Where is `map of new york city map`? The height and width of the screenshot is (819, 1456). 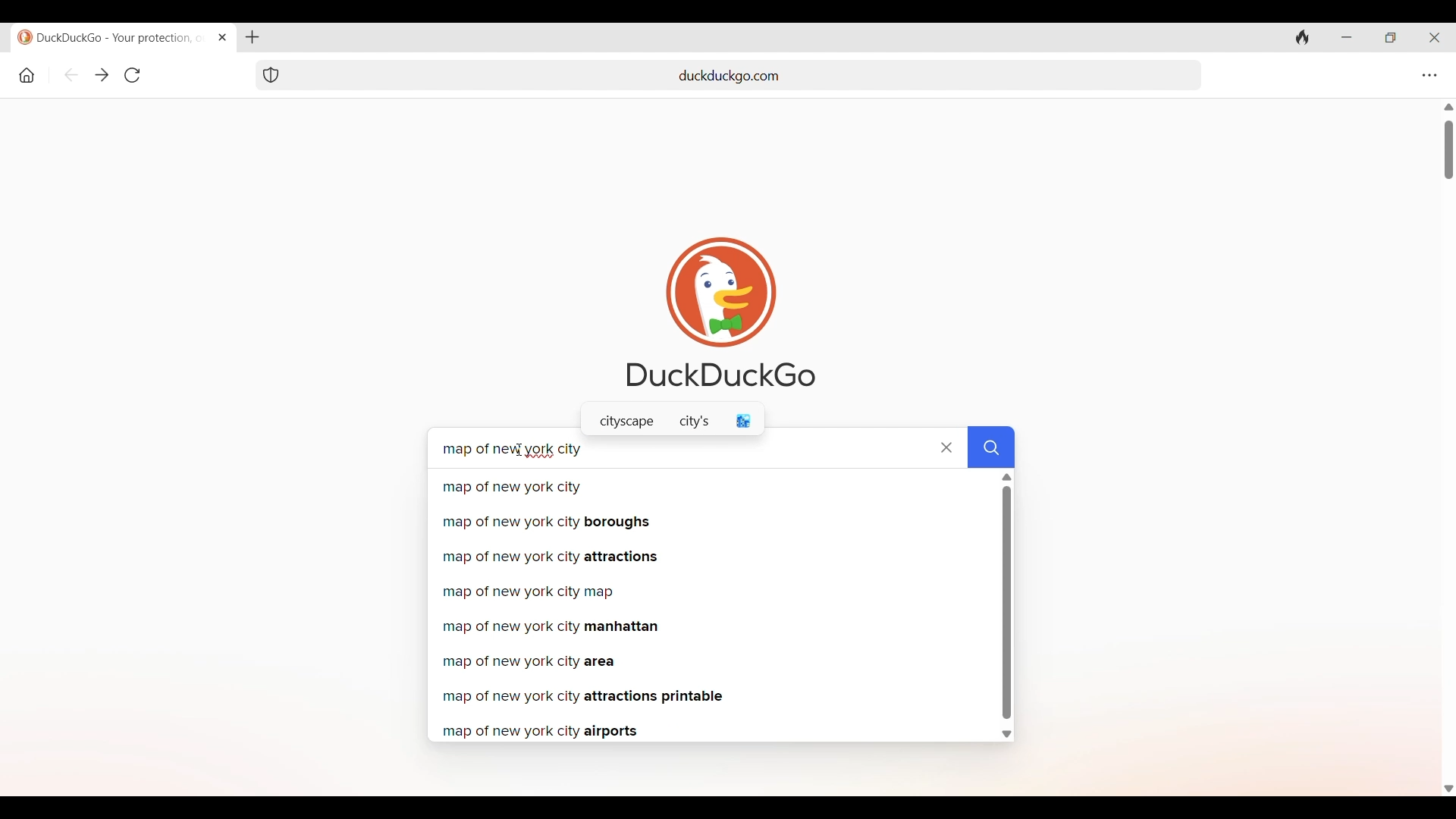 map of new york city map is located at coordinates (712, 593).